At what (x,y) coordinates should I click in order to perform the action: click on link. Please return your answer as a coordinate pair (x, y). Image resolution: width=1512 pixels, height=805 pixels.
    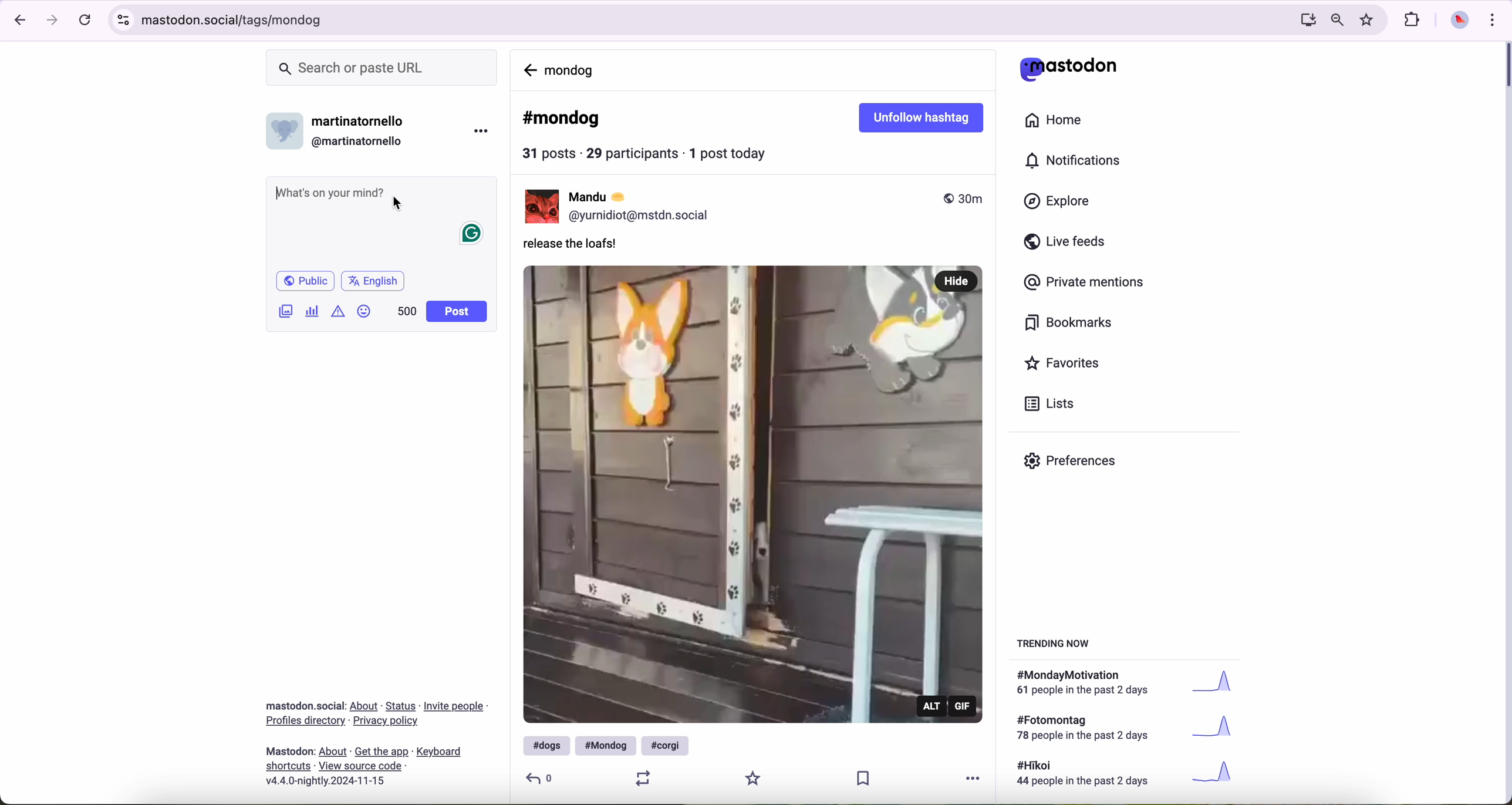
    Looking at the image, I should click on (455, 708).